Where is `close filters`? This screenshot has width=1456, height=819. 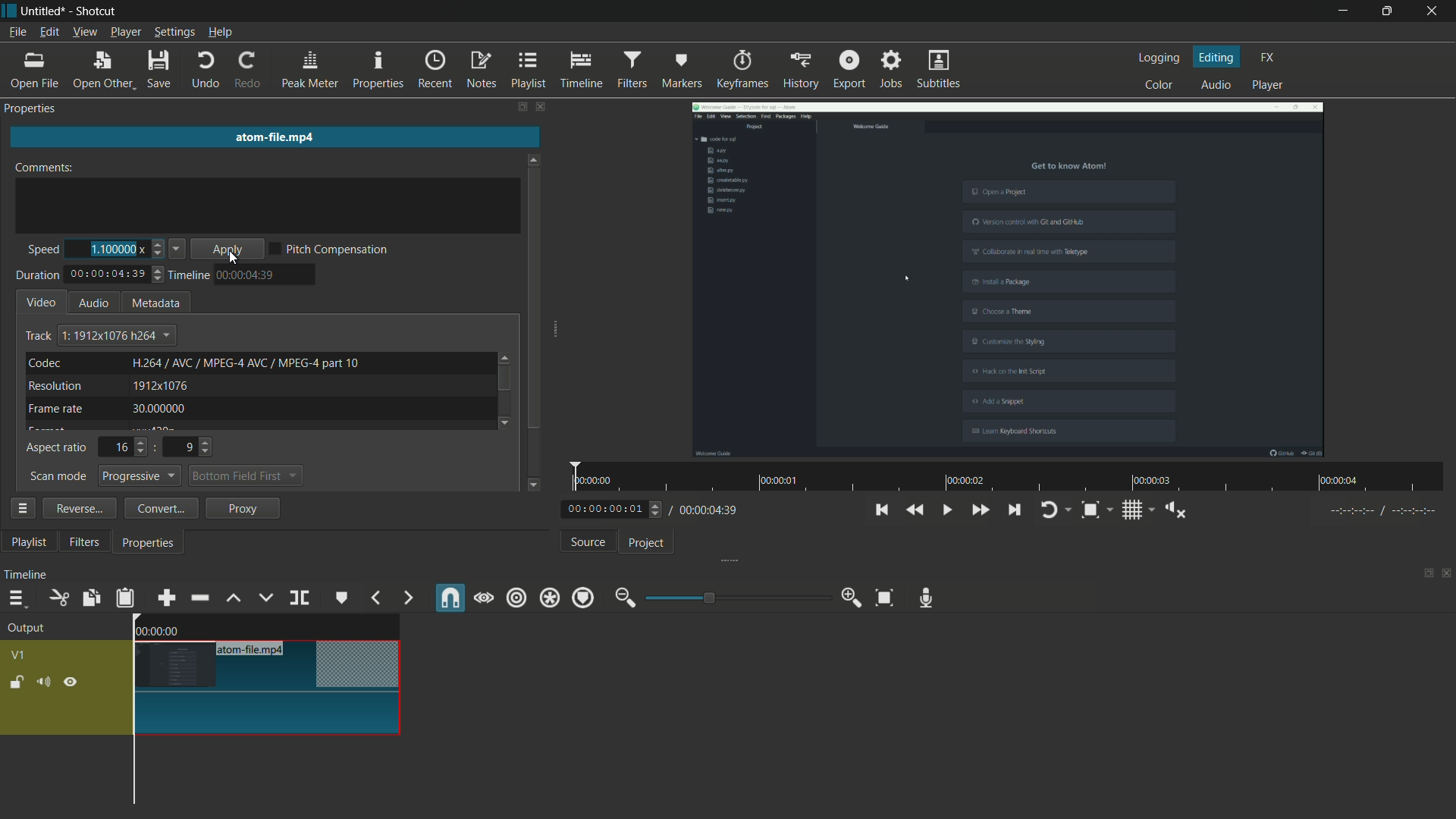 close filters is located at coordinates (543, 106).